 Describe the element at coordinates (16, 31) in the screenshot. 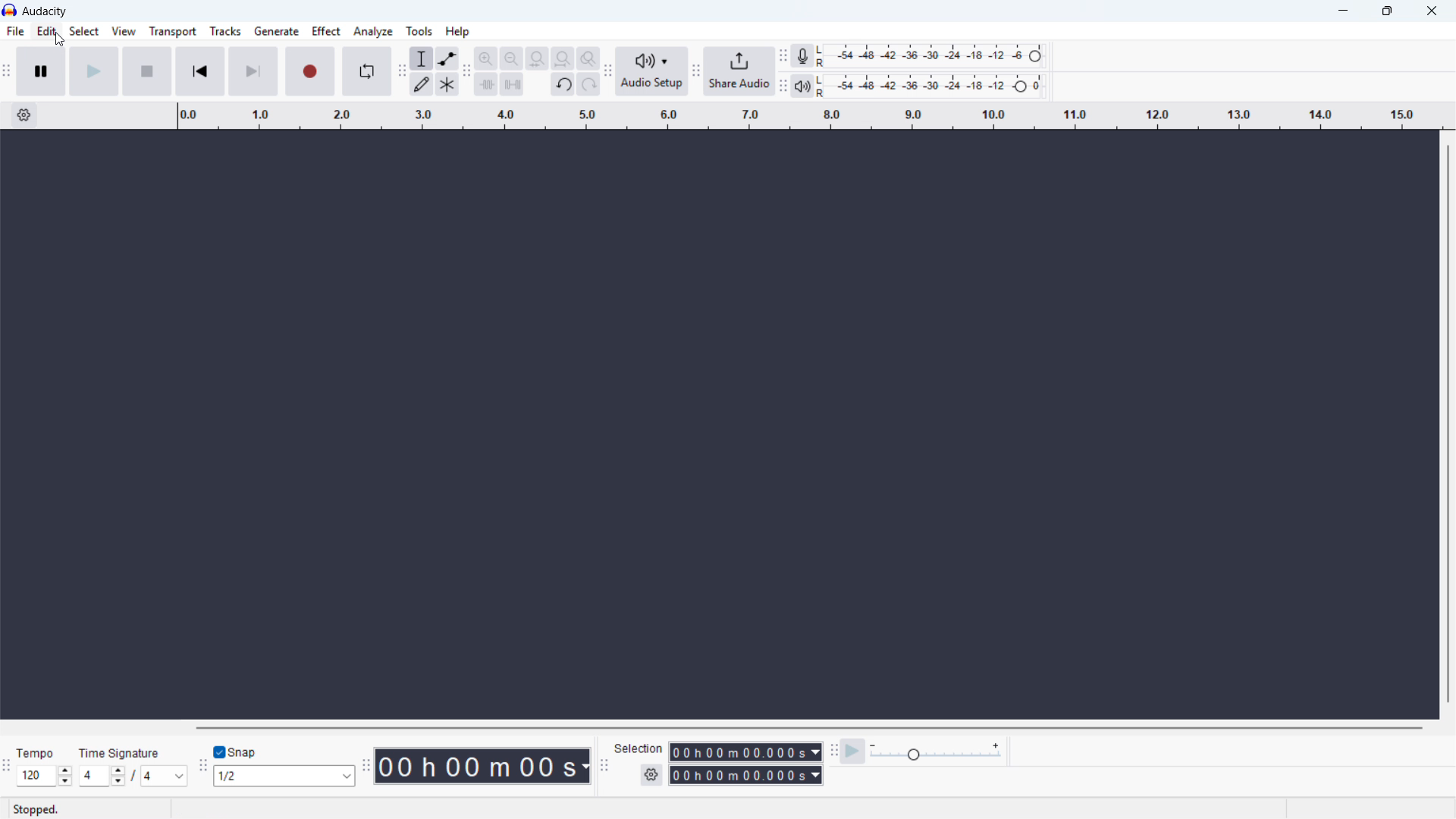

I see `file` at that location.